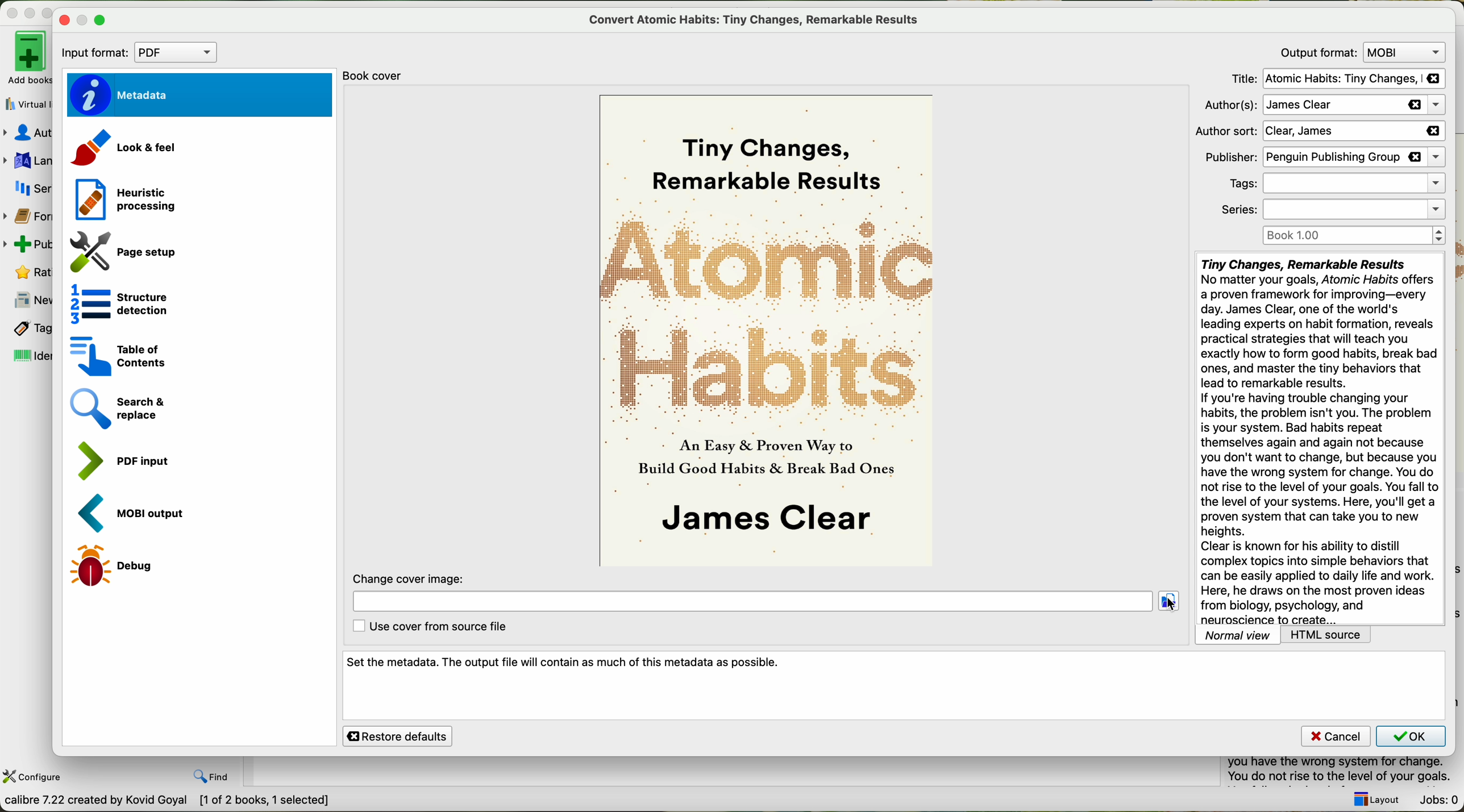 The height and width of the screenshot is (812, 1464). What do you see at coordinates (124, 199) in the screenshot?
I see `heuristic processing` at bounding box center [124, 199].